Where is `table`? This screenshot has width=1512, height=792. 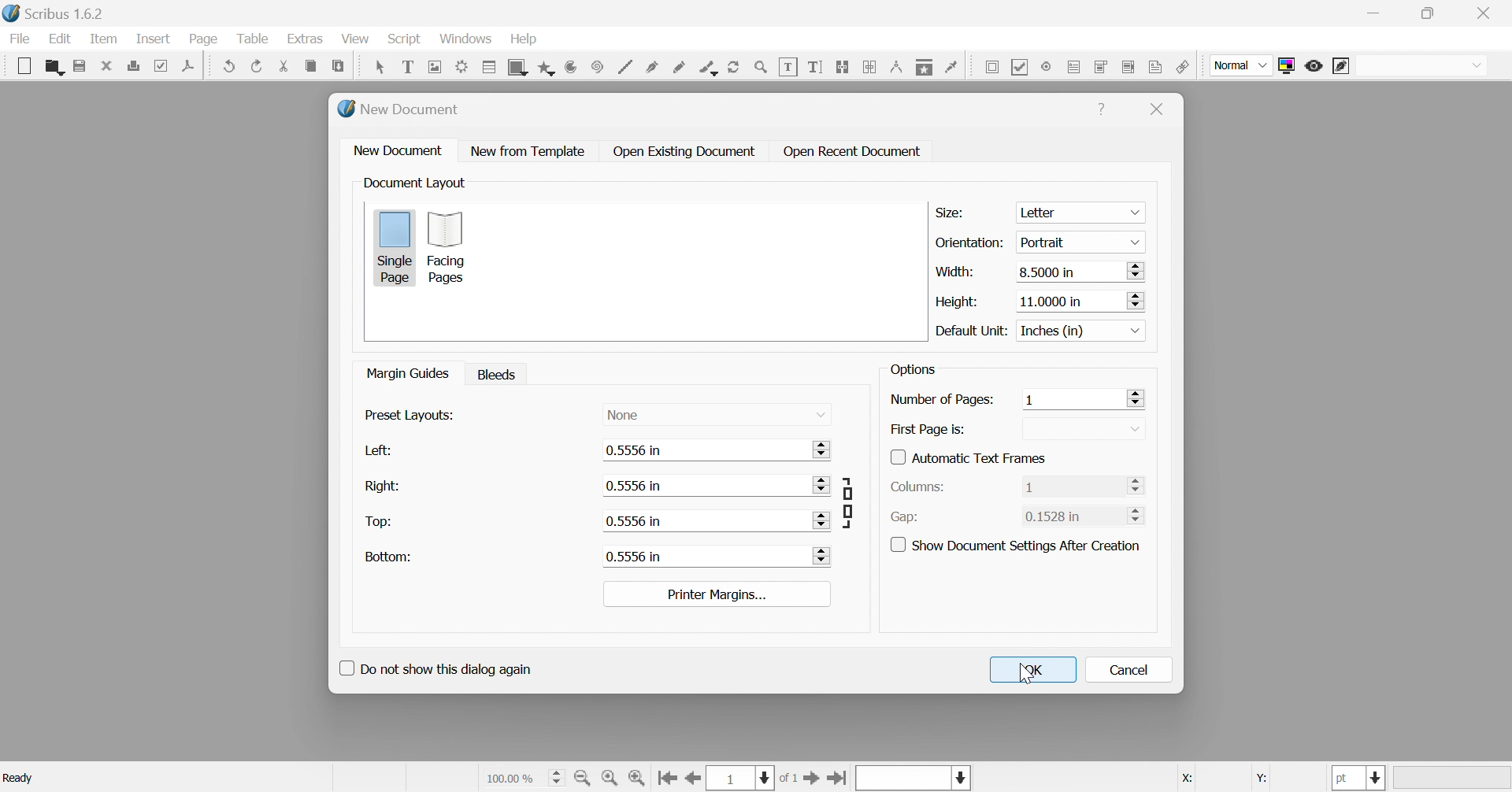 table is located at coordinates (490, 68).